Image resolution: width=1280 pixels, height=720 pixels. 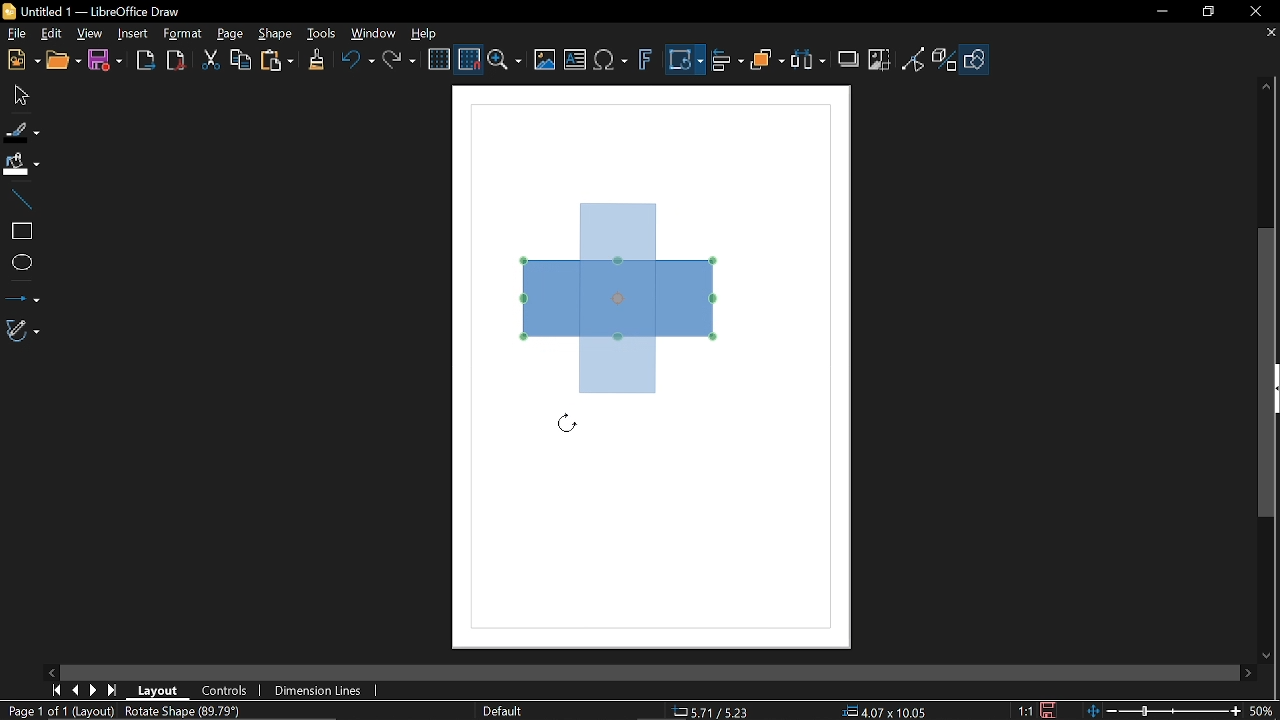 What do you see at coordinates (1269, 34) in the screenshot?
I see `Close tab` at bounding box center [1269, 34].